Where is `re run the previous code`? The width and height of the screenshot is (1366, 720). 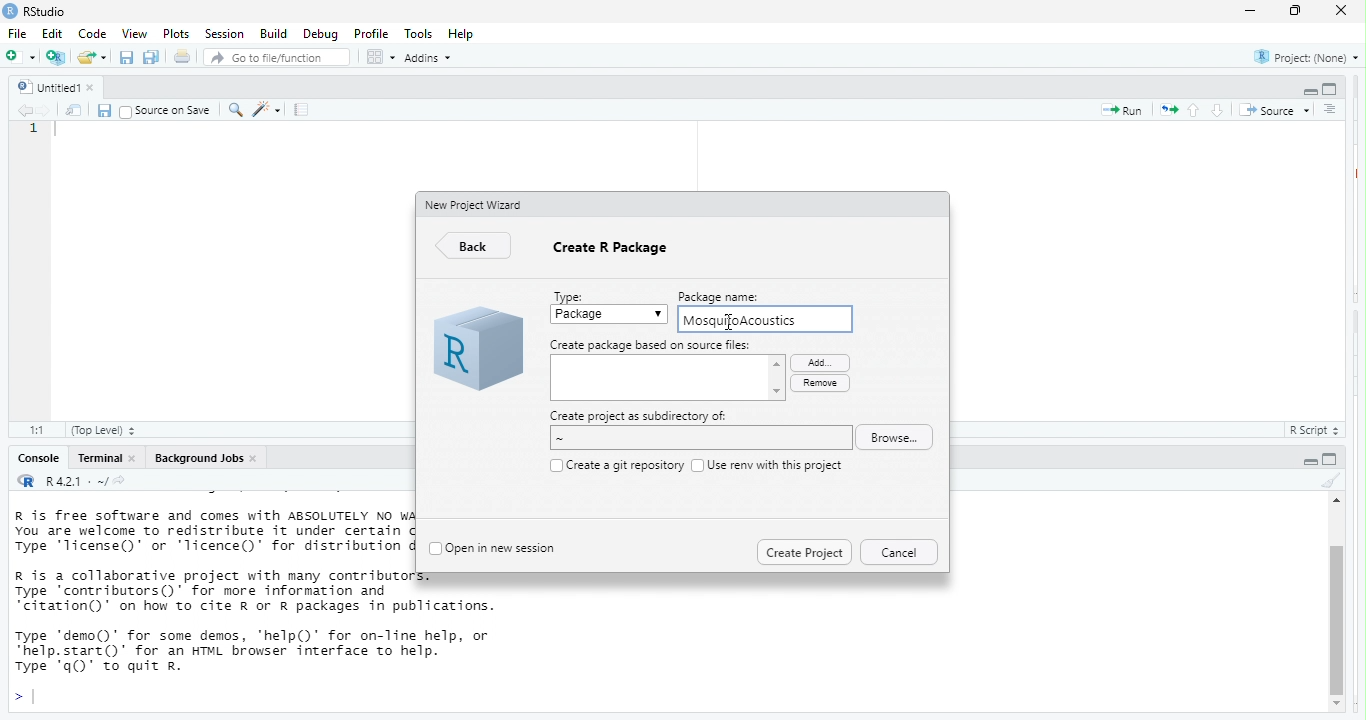 re run the previous code is located at coordinates (1167, 111).